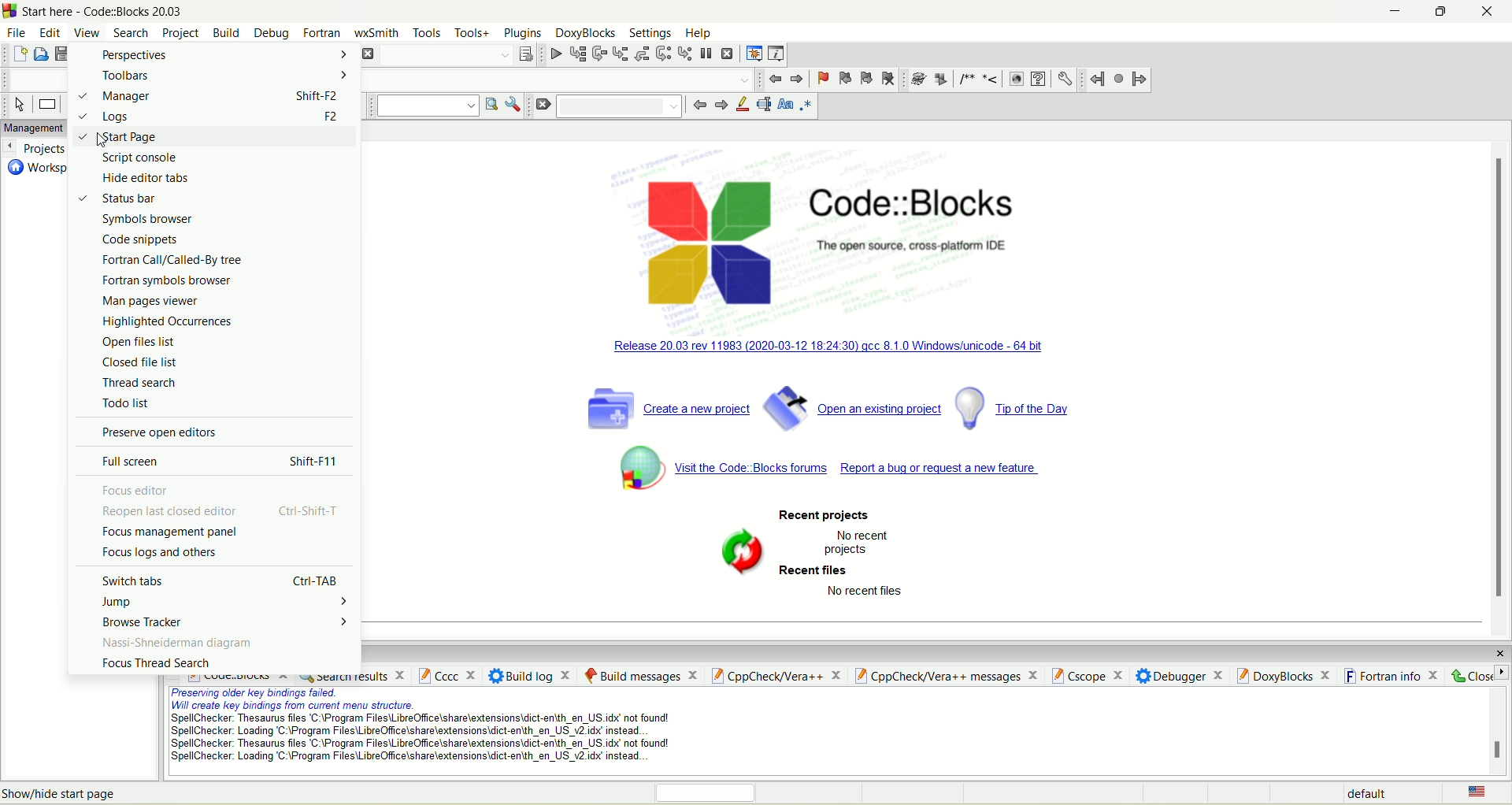 The height and width of the screenshot is (805, 1512). I want to click on jump, so click(227, 603).